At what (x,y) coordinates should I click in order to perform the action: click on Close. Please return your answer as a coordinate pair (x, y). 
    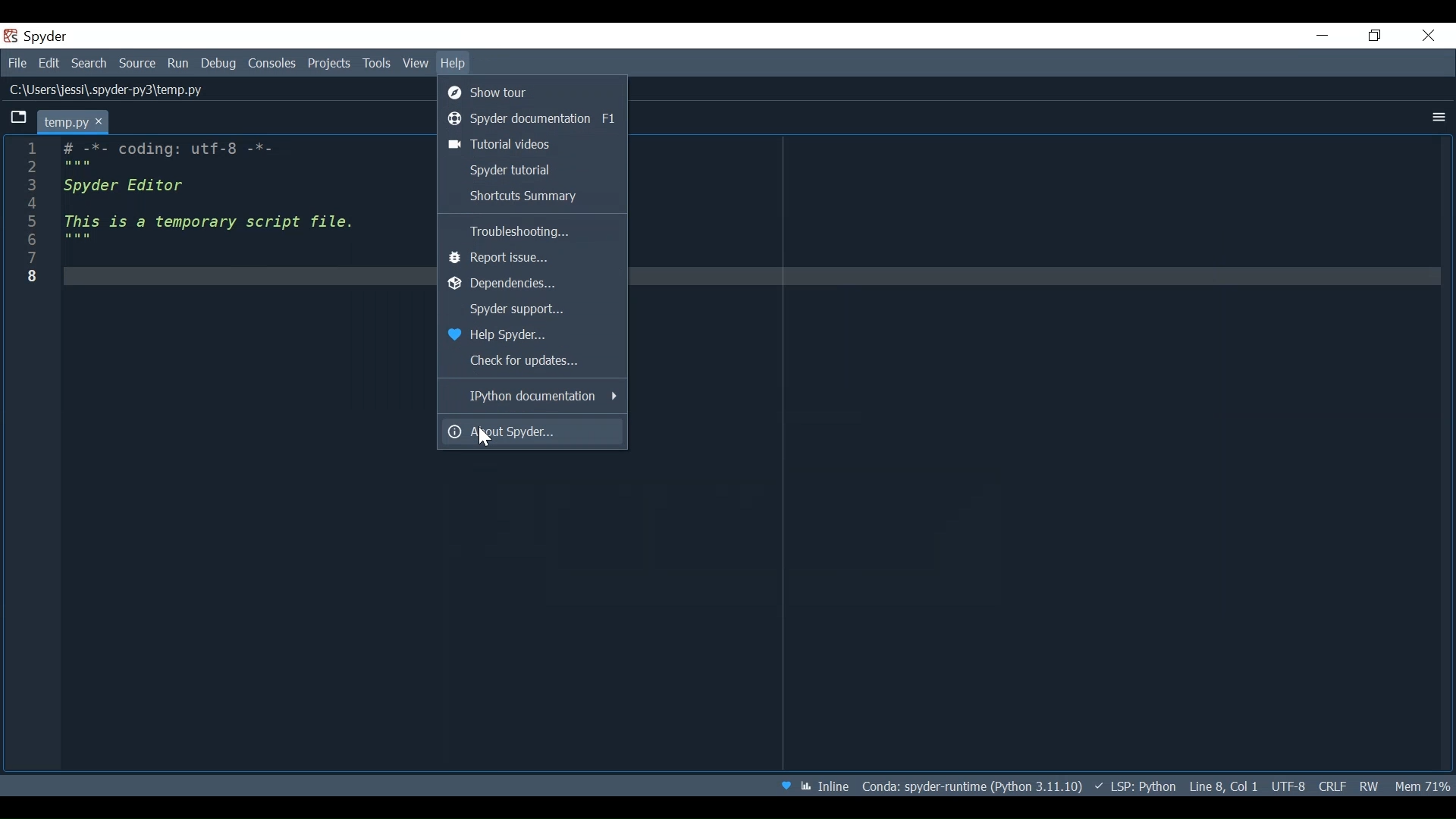
    Looking at the image, I should click on (1428, 36).